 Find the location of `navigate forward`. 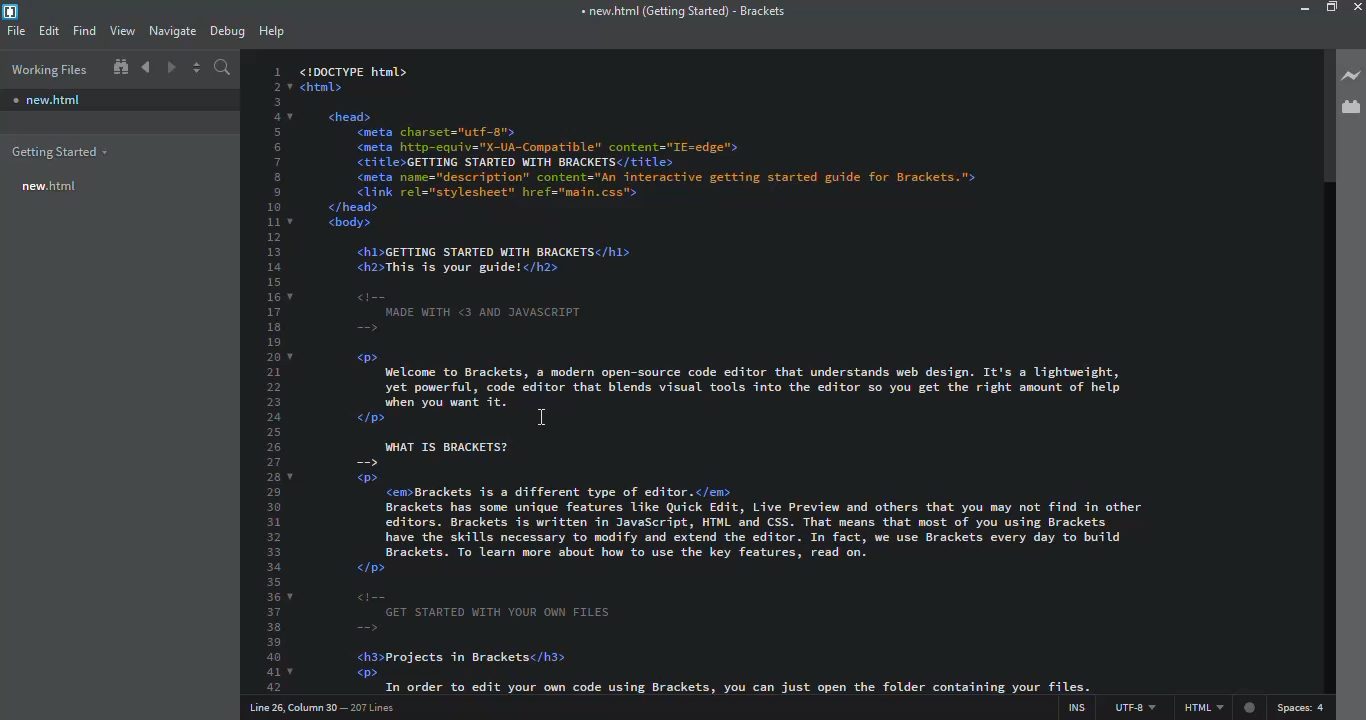

navigate forward is located at coordinates (173, 67).